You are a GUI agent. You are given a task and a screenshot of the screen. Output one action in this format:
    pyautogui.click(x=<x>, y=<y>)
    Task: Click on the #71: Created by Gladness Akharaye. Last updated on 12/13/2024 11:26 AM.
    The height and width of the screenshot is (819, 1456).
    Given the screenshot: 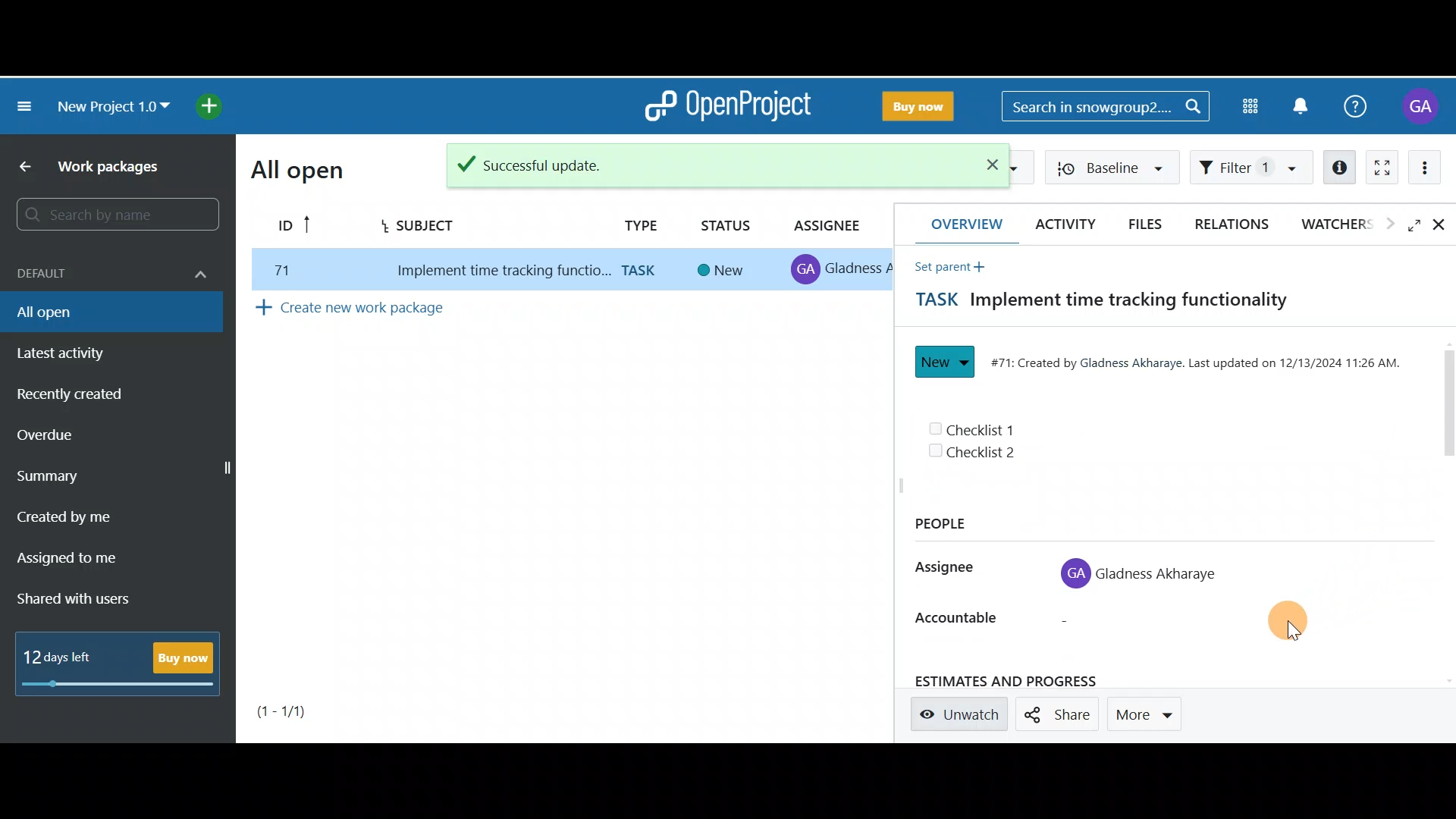 What is the action you would take?
    pyautogui.click(x=1198, y=367)
    